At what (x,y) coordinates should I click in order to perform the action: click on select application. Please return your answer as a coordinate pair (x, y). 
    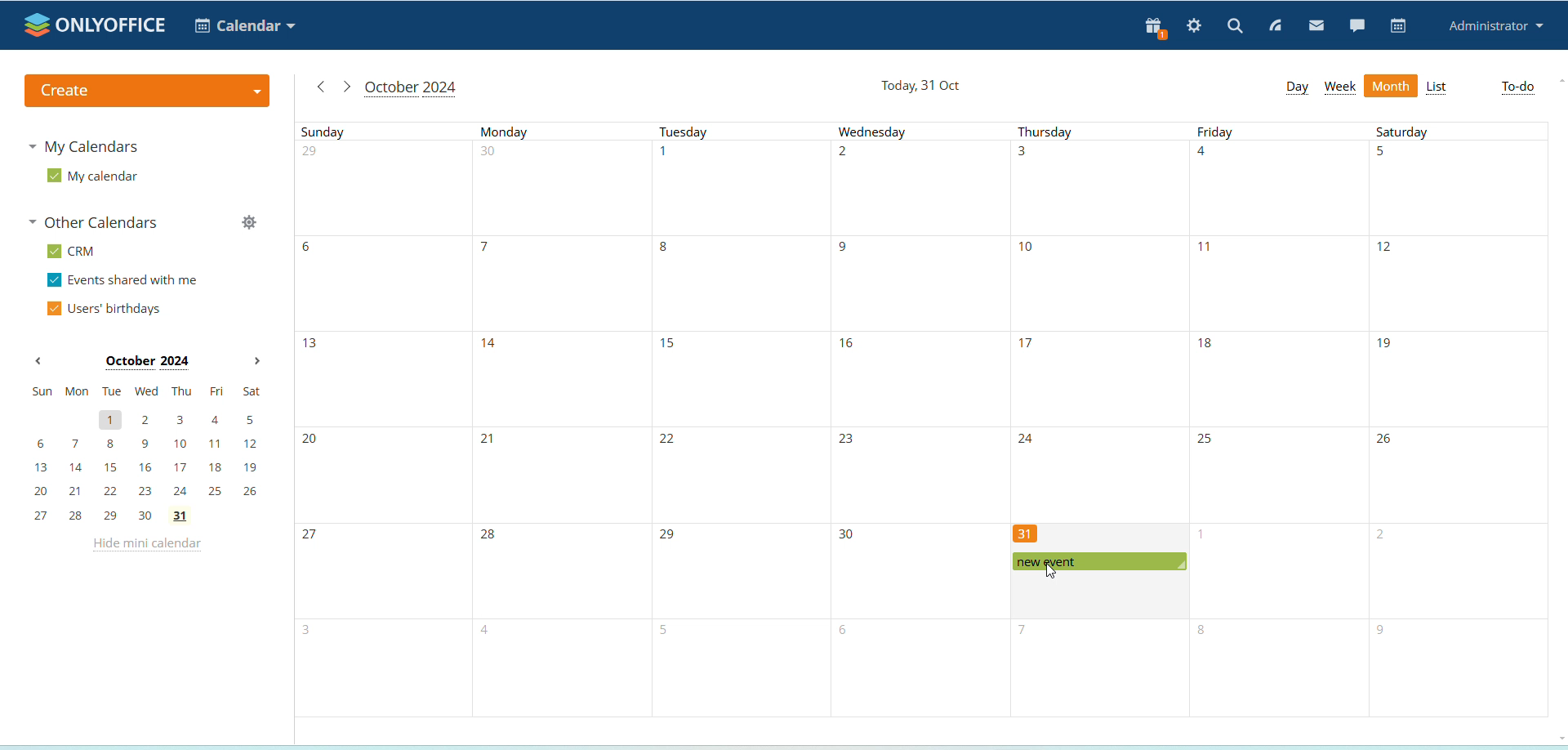
    Looking at the image, I should click on (245, 25).